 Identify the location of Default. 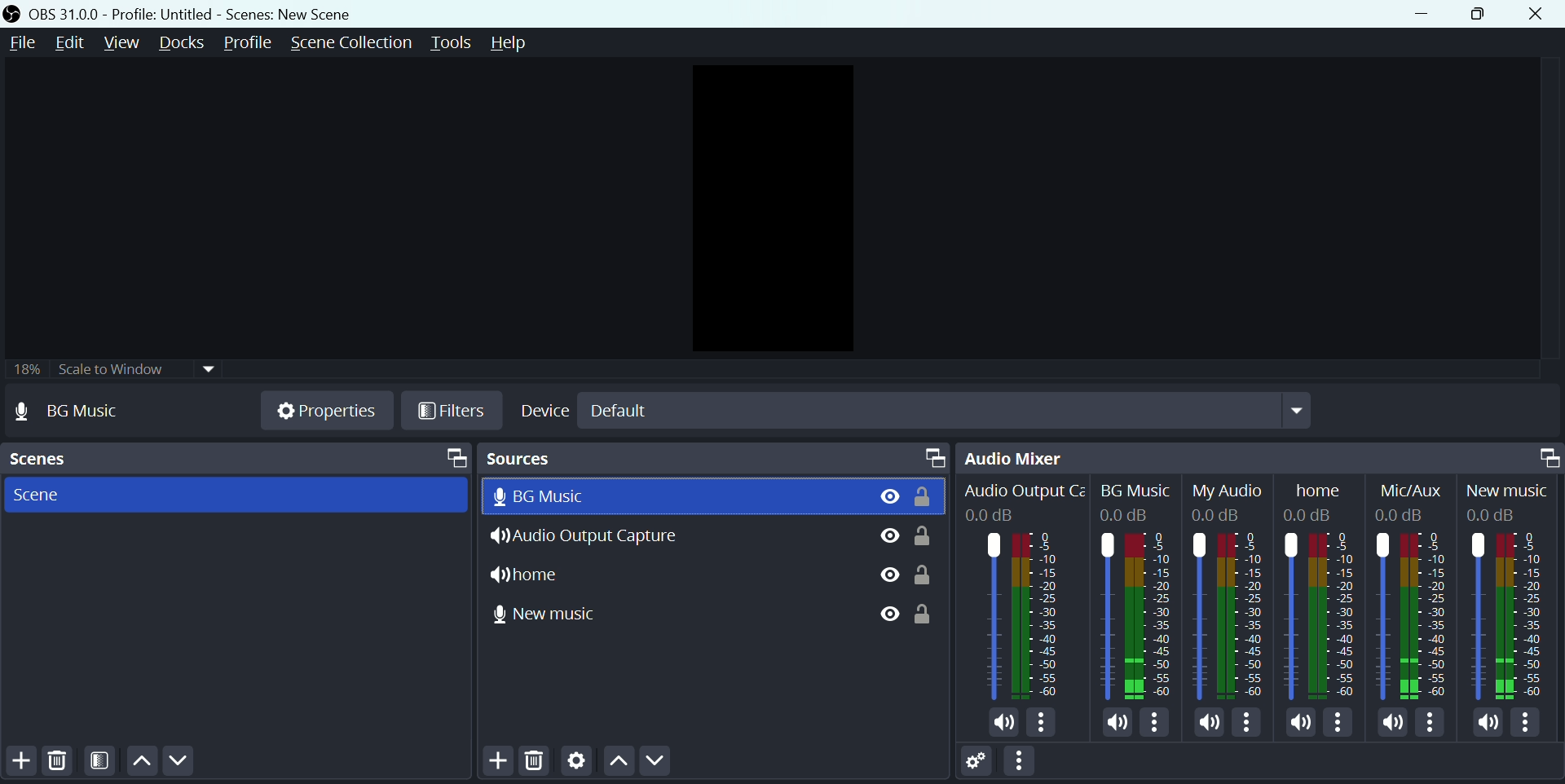
(792, 410).